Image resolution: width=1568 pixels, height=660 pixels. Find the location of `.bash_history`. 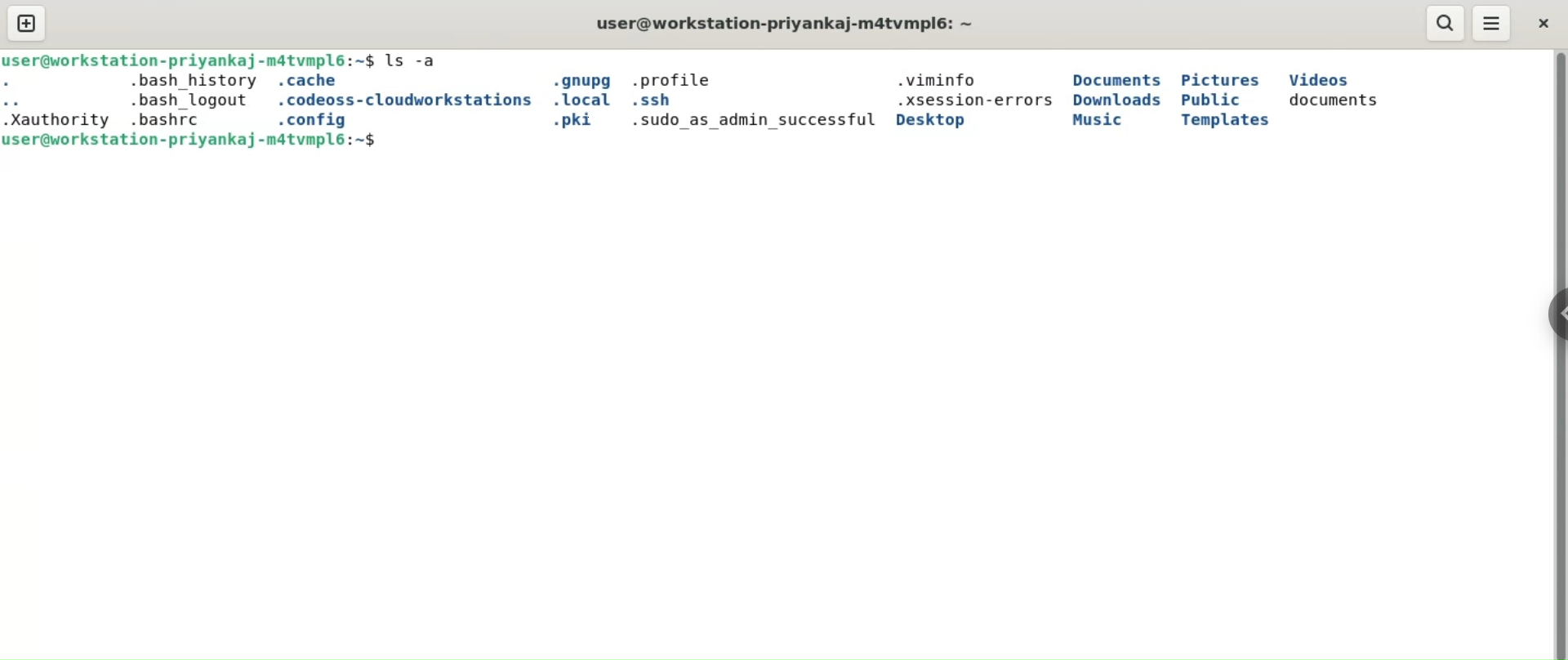

.bash_history is located at coordinates (194, 81).